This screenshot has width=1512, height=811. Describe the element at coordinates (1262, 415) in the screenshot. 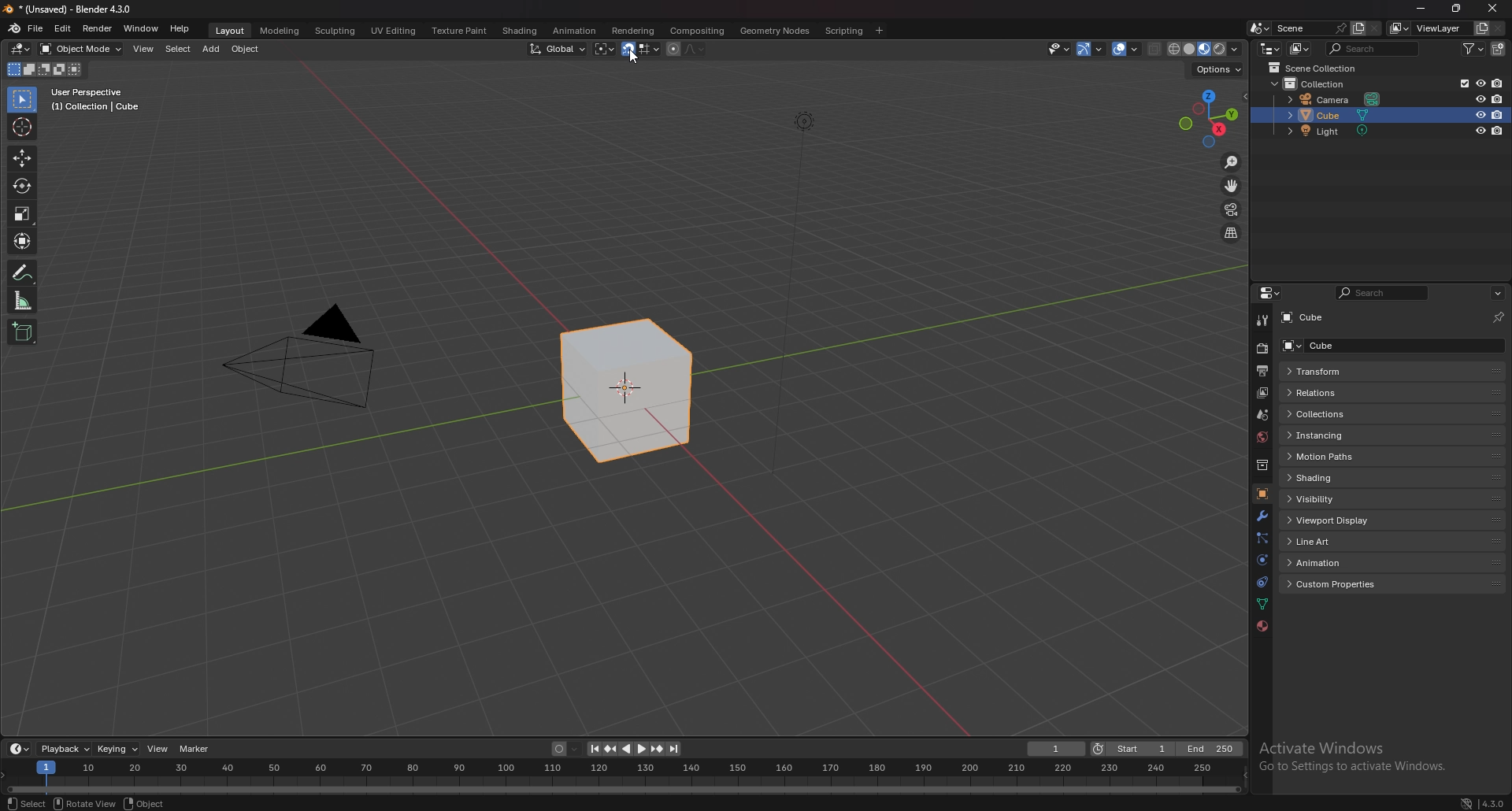

I see `scene` at that location.